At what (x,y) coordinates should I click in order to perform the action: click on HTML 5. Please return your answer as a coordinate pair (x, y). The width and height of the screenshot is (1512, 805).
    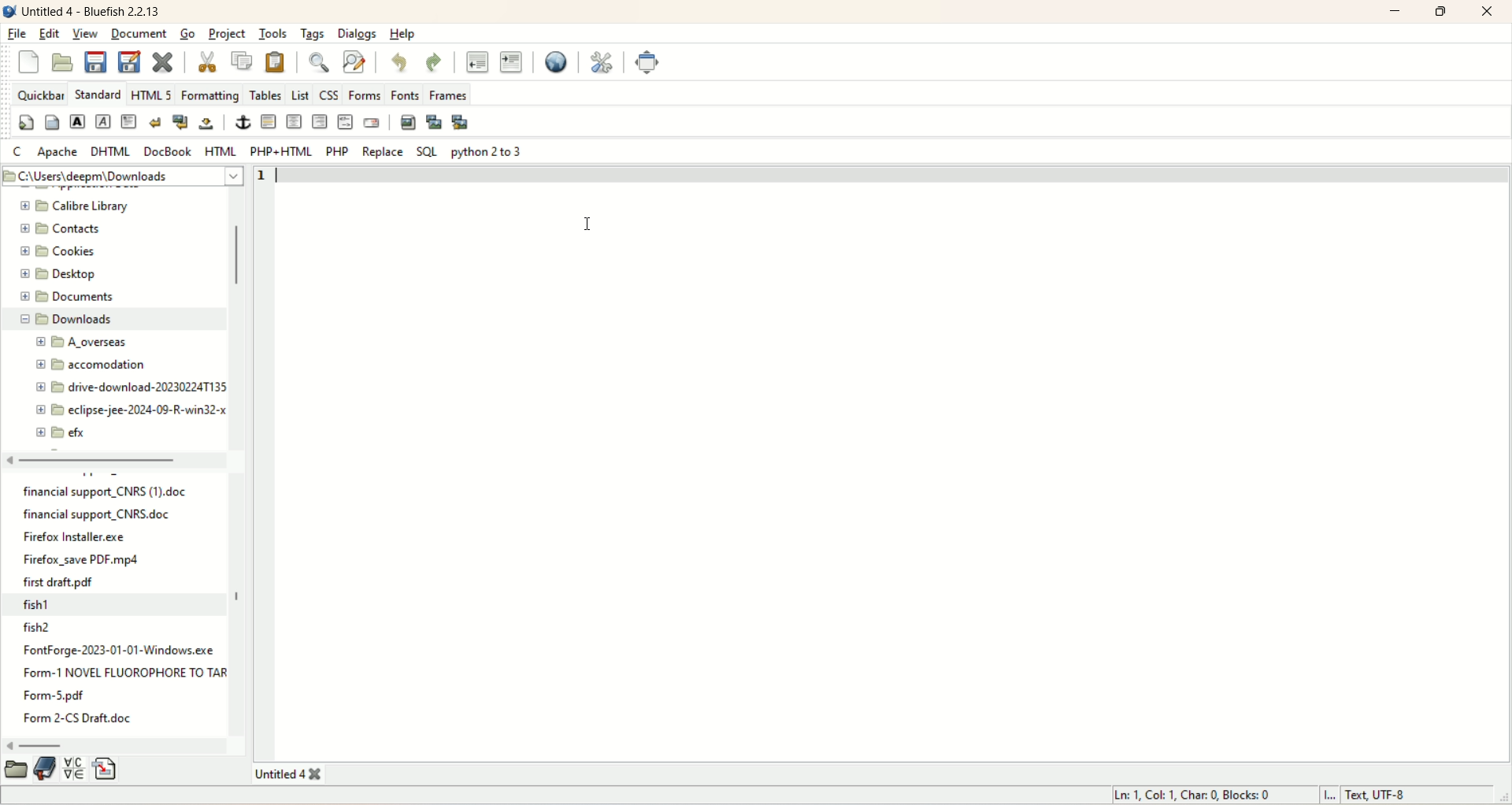
    Looking at the image, I should click on (151, 95).